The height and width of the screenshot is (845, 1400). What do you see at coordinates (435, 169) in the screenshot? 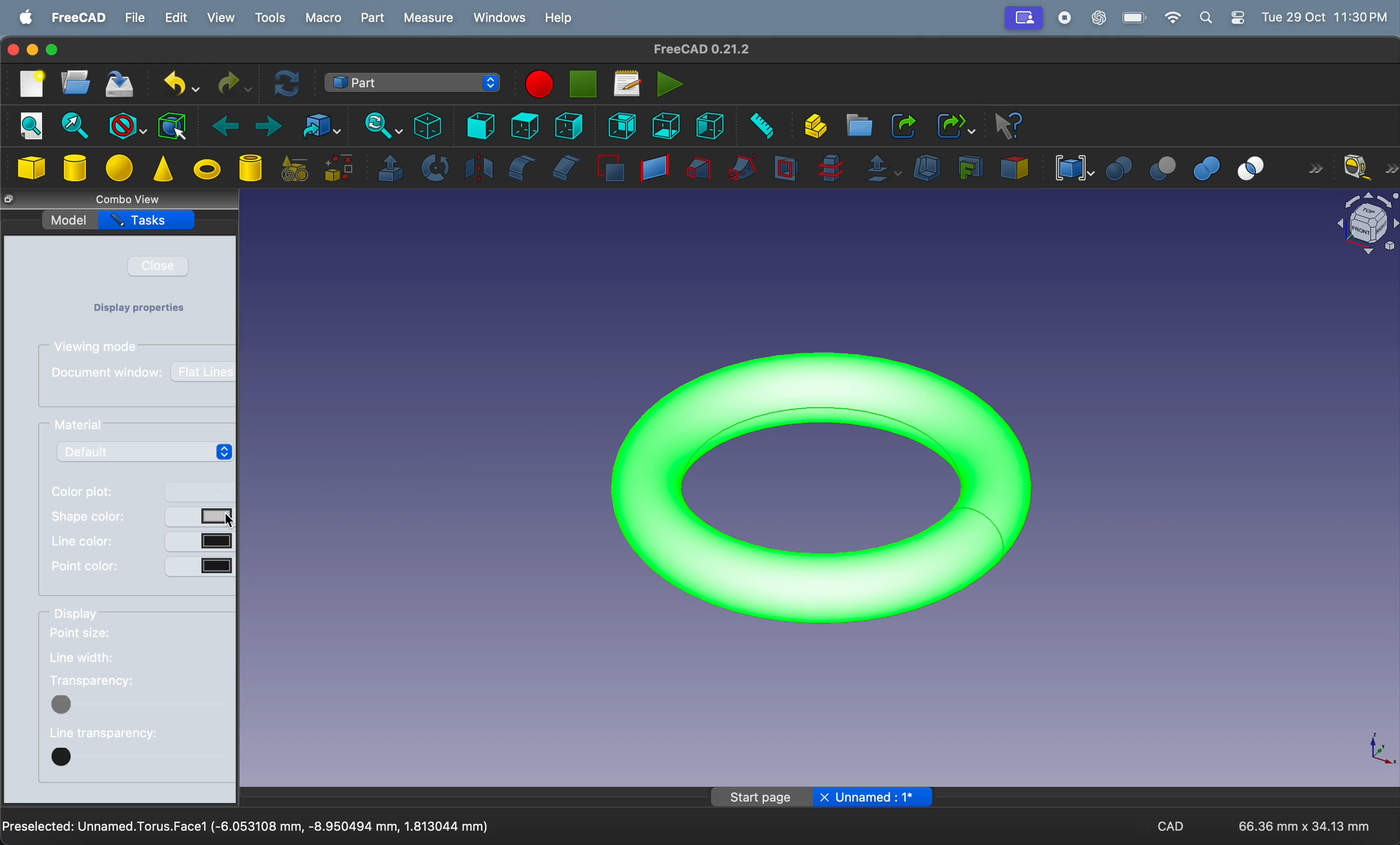
I see `revolve` at bounding box center [435, 169].